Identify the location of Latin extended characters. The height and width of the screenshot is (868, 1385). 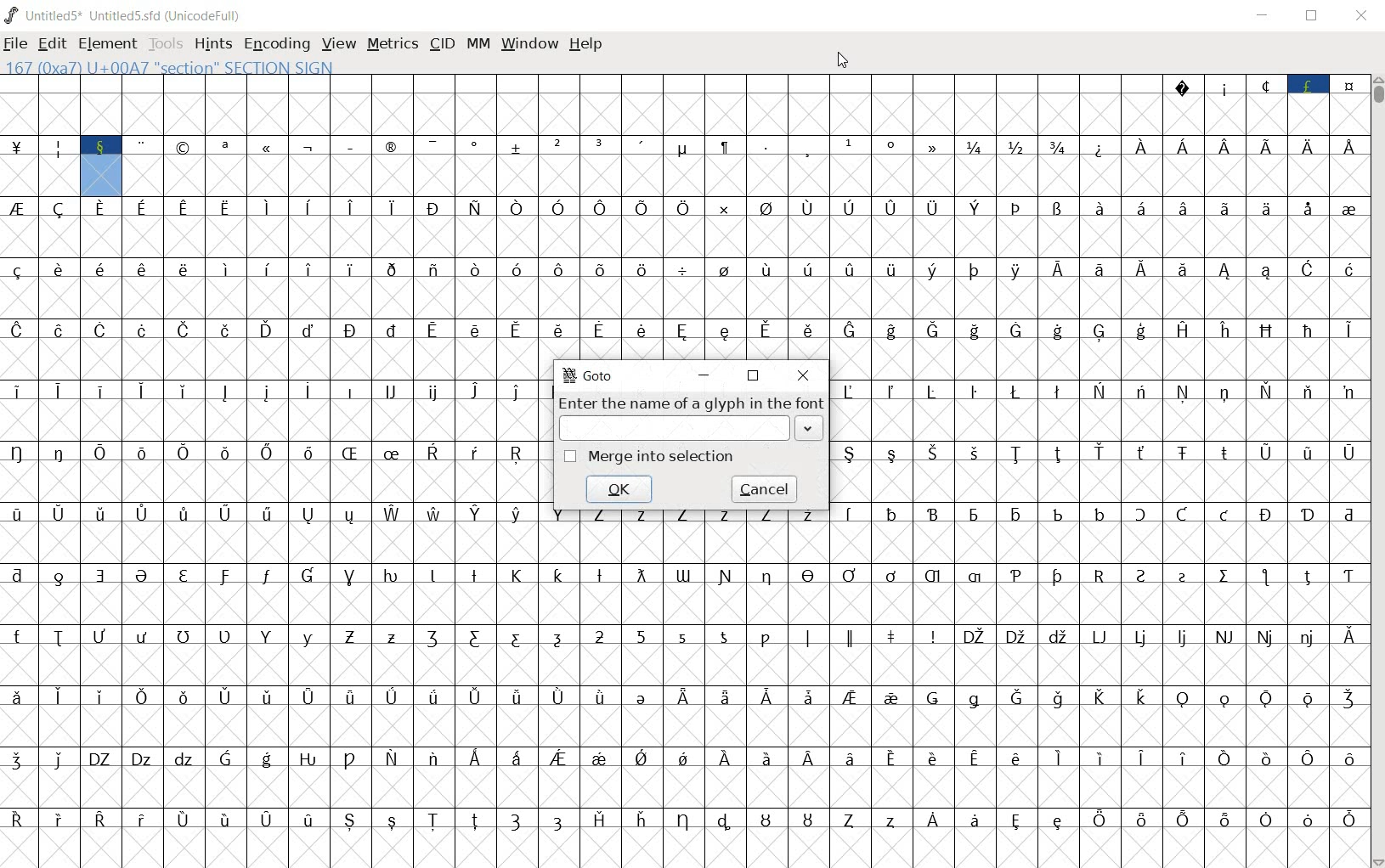
(184, 286).